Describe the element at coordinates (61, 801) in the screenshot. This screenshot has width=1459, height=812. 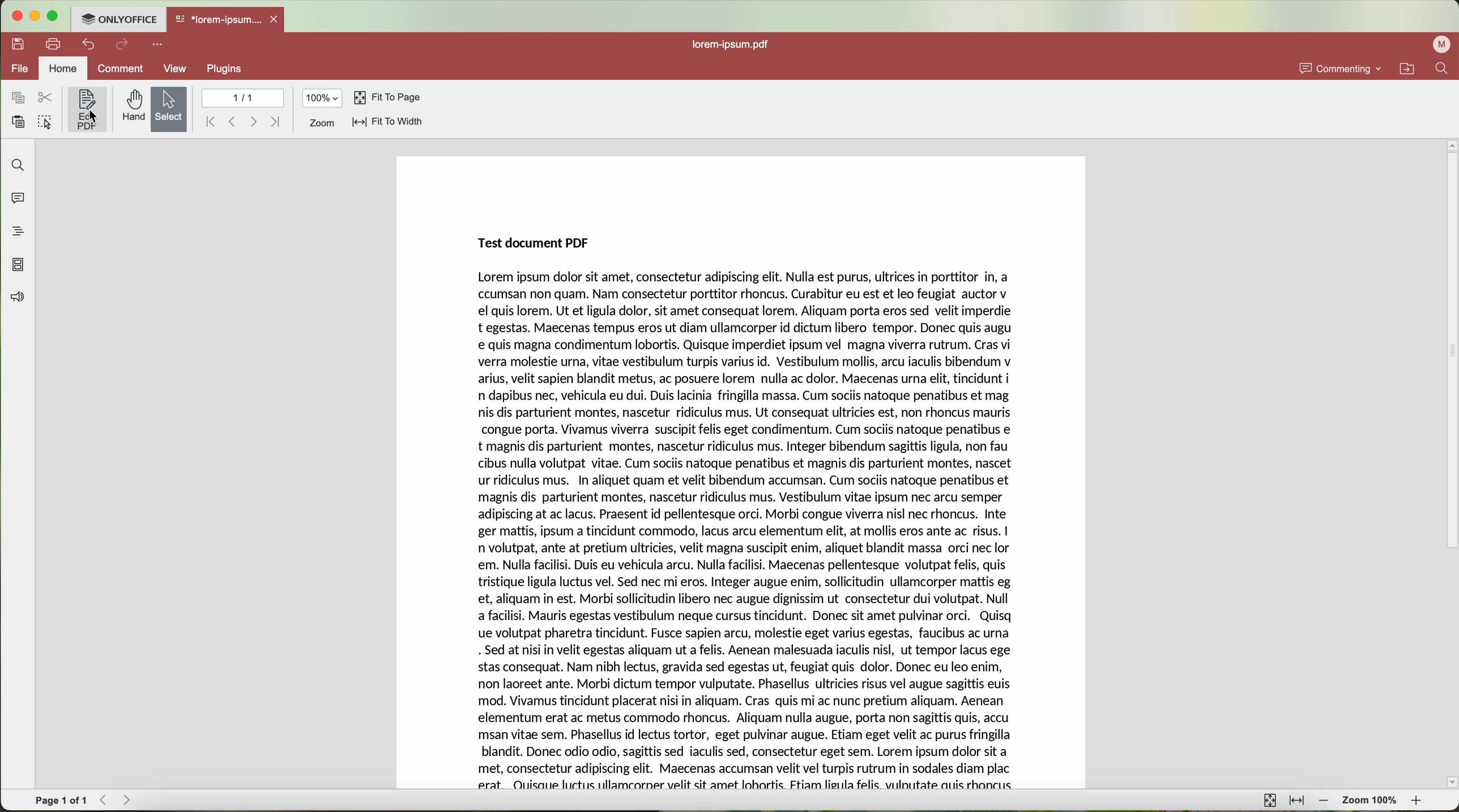
I see `Page 1 of 1` at that location.